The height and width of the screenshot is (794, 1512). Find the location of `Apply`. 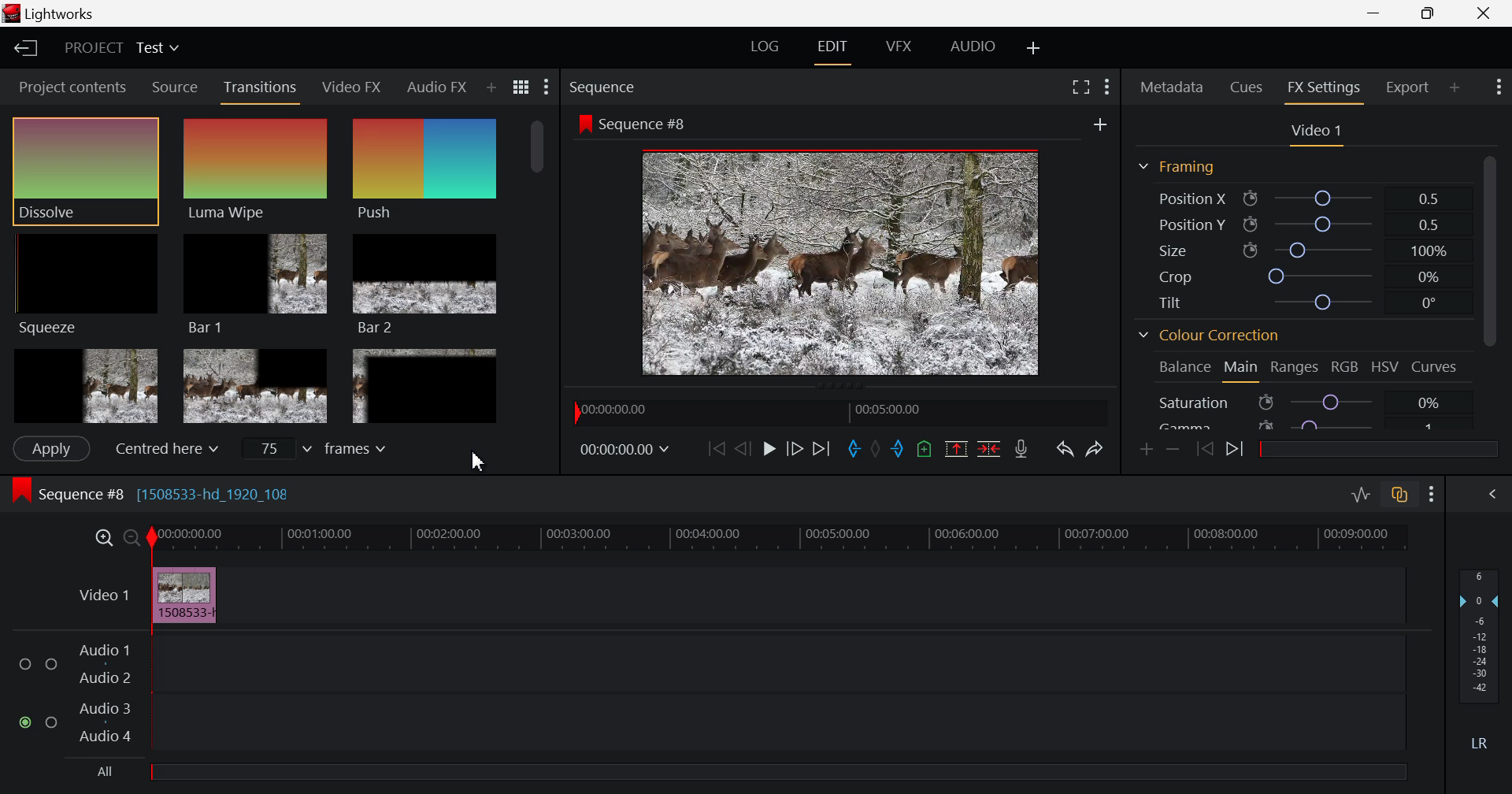

Apply is located at coordinates (49, 450).